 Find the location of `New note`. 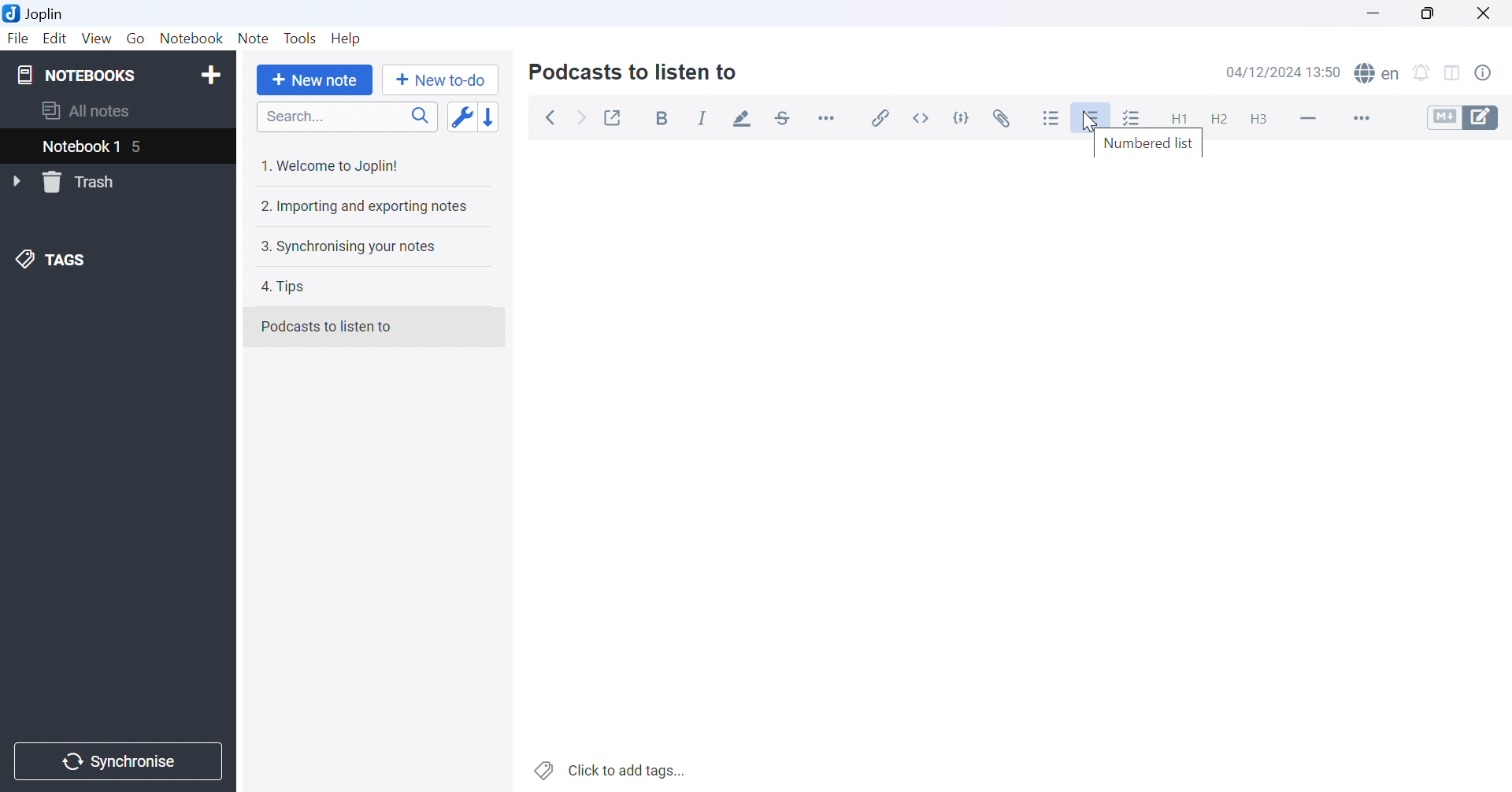

New note is located at coordinates (318, 81).